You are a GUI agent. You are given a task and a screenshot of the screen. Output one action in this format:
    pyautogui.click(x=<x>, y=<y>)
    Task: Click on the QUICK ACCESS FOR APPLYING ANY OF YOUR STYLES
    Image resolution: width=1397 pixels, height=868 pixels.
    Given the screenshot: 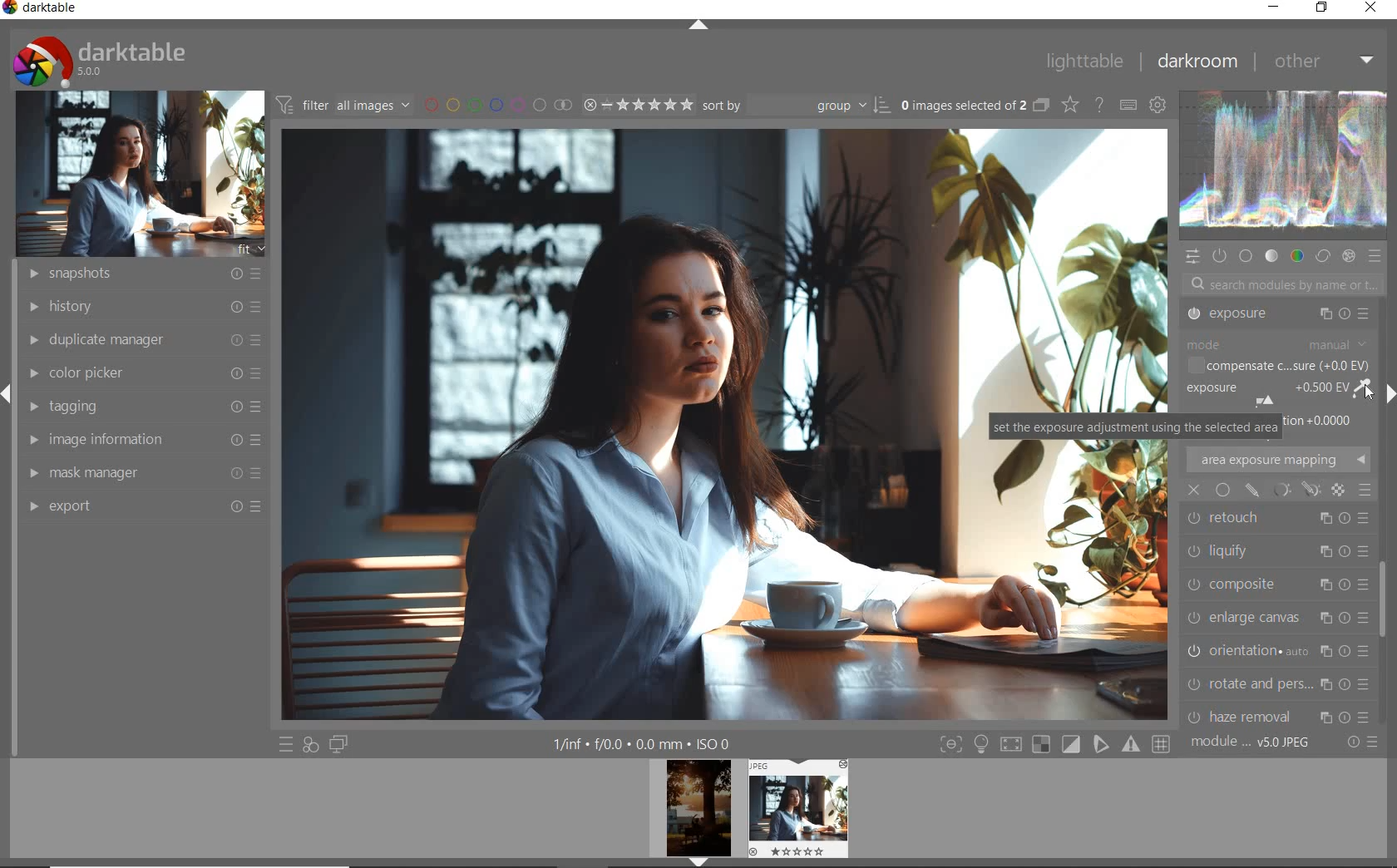 What is the action you would take?
    pyautogui.click(x=311, y=745)
    